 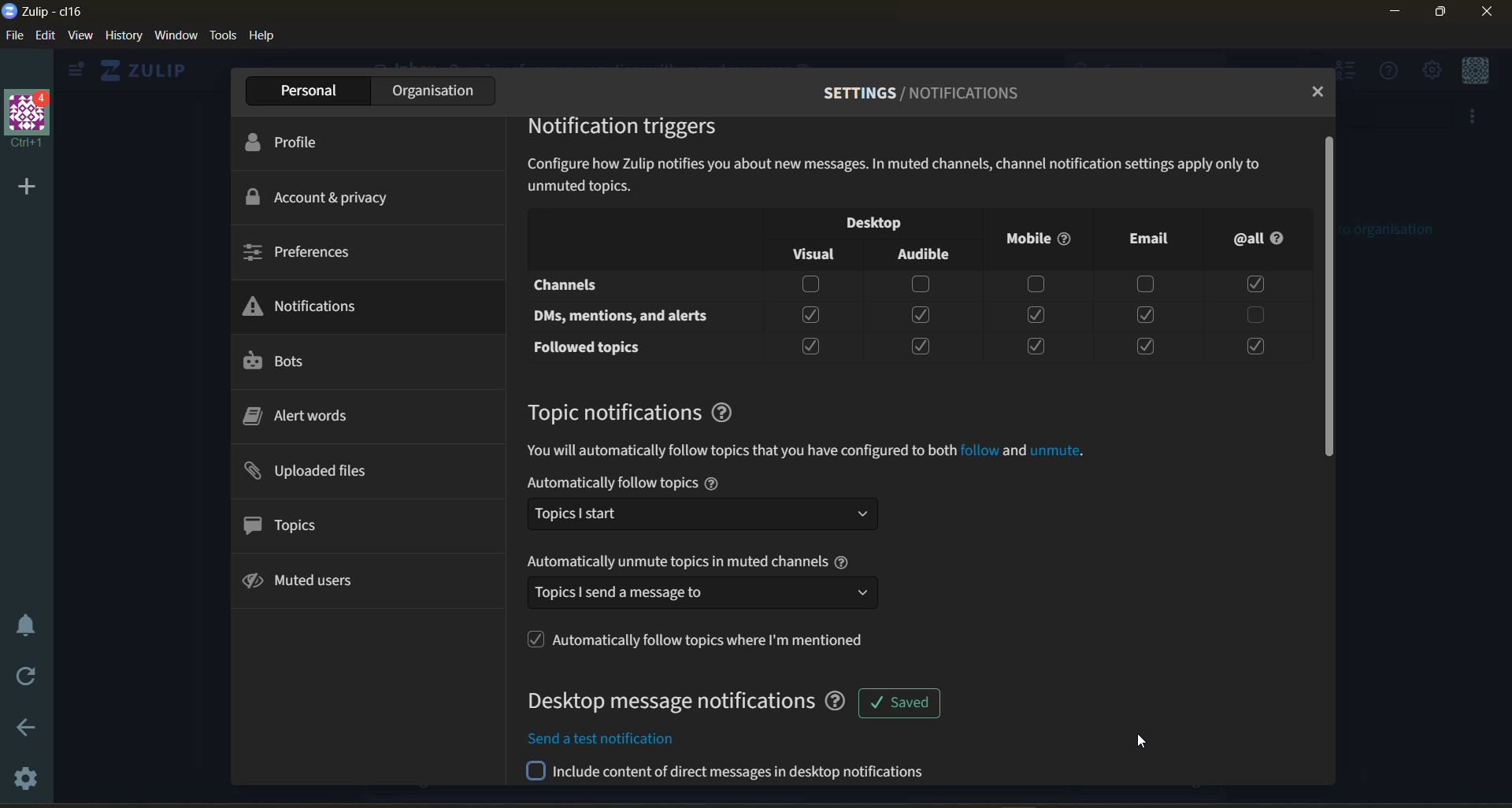 What do you see at coordinates (1036, 346) in the screenshot?
I see `Checkbox` at bounding box center [1036, 346].